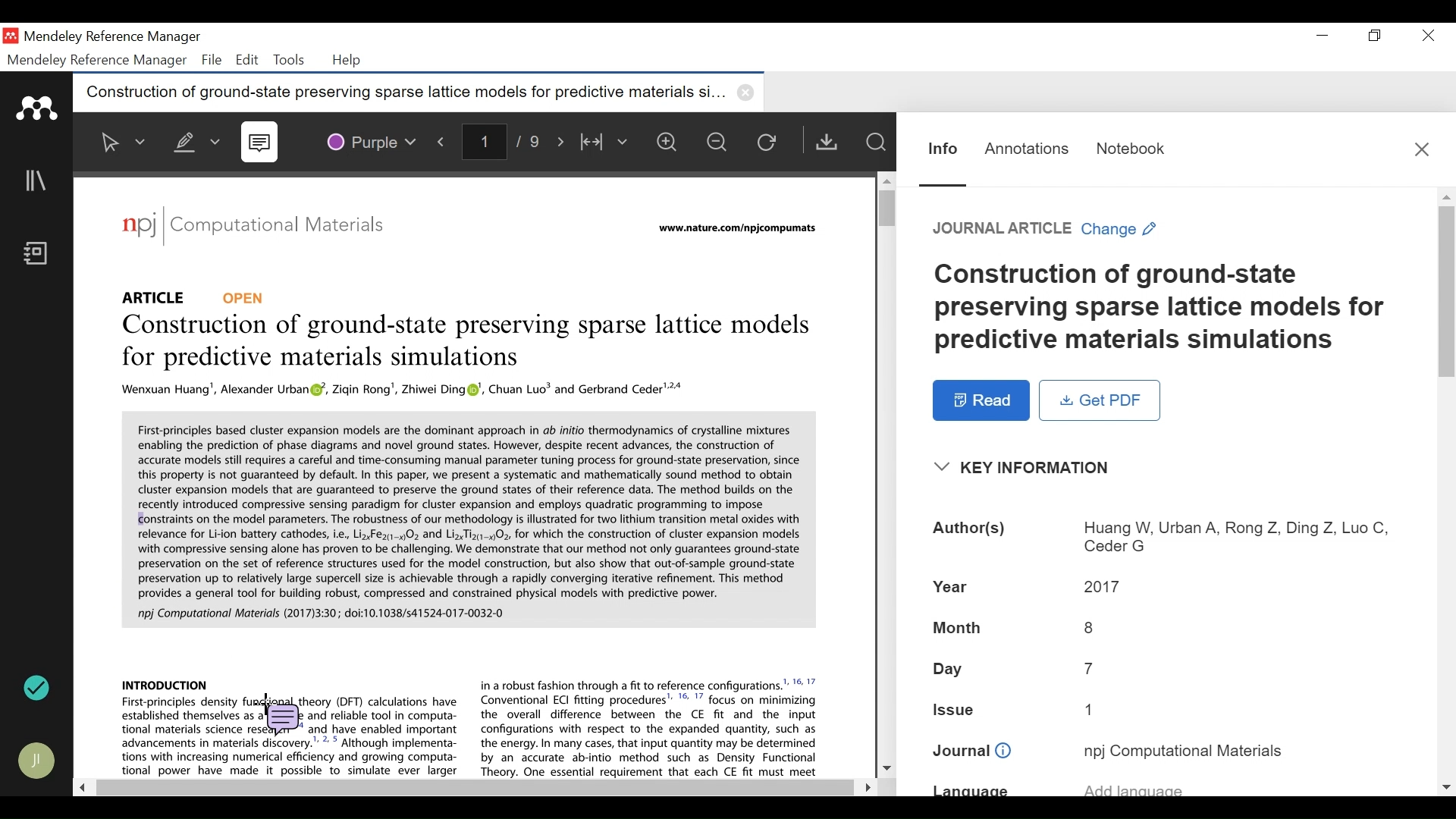 This screenshot has height=819, width=1456. What do you see at coordinates (606, 143) in the screenshot?
I see `Width to fit` at bounding box center [606, 143].